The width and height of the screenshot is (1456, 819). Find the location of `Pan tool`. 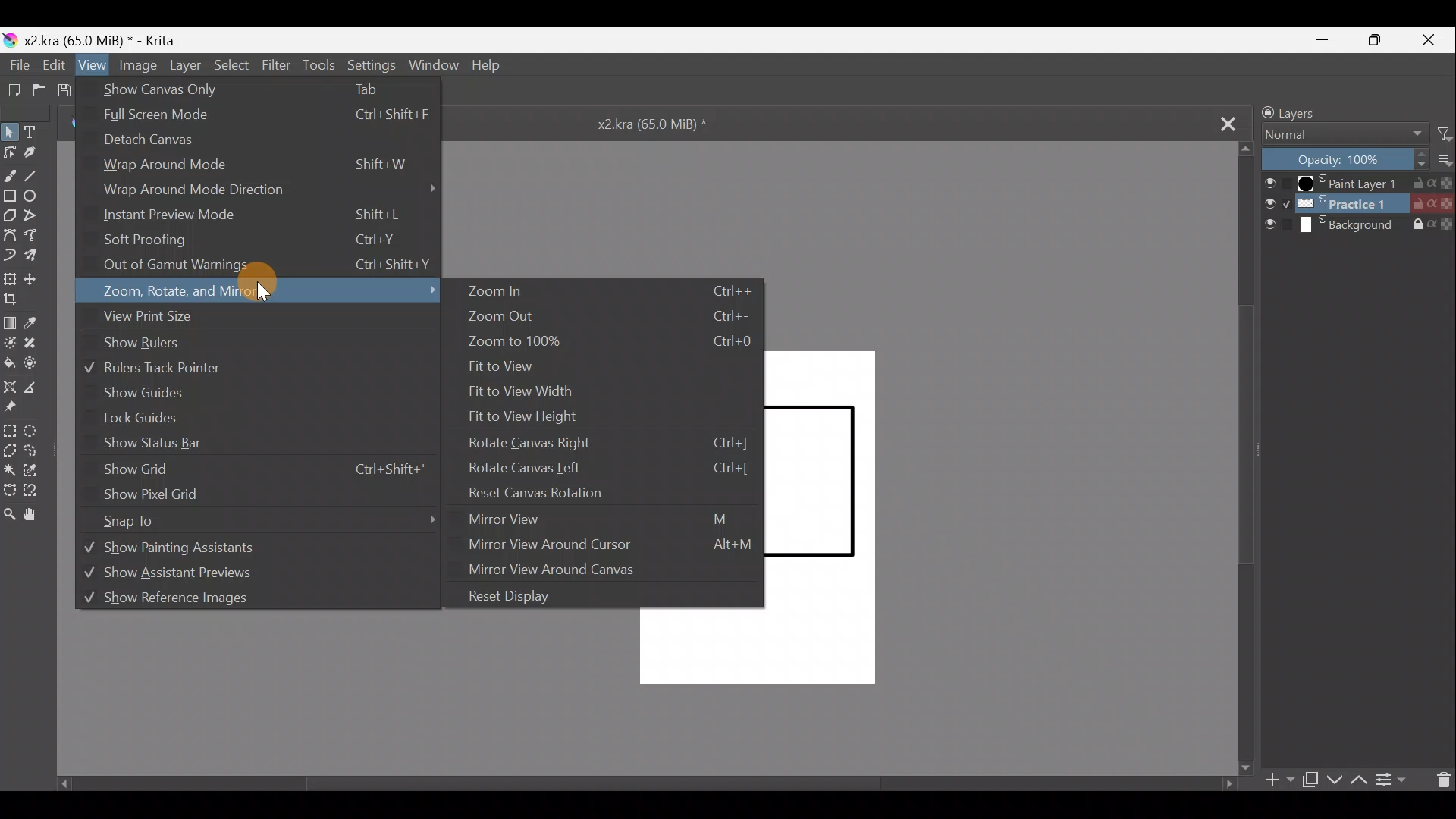

Pan tool is located at coordinates (36, 516).